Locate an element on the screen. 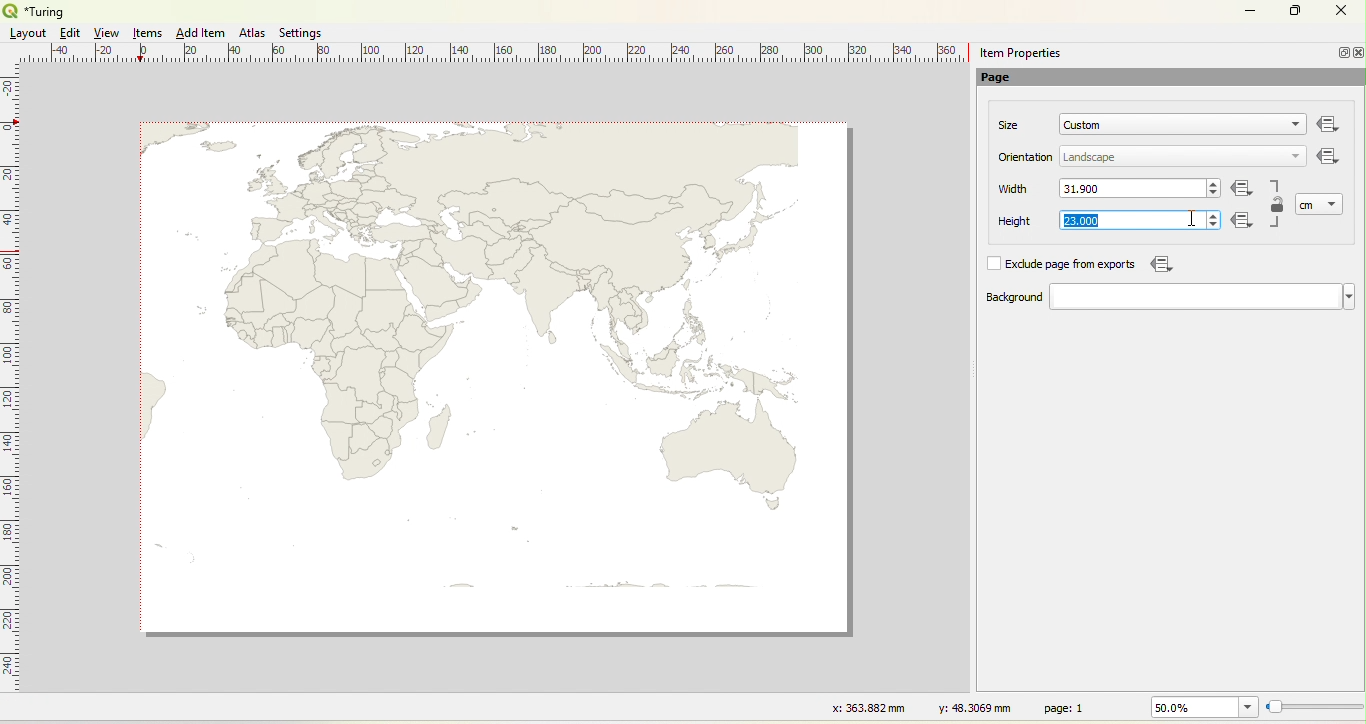 This screenshot has width=1366, height=724.  is located at coordinates (1329, 125).